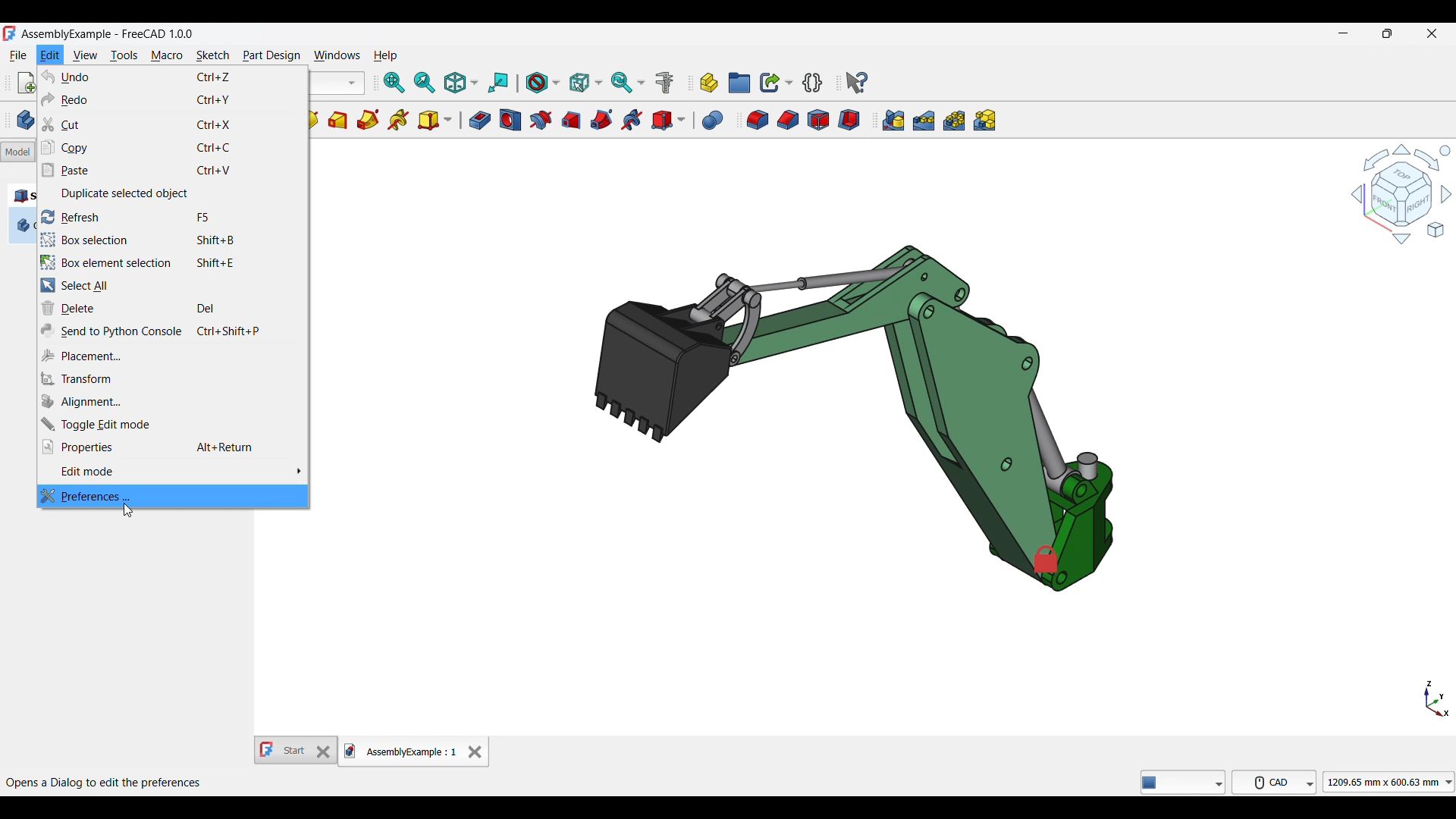 The width and height of the screenshot is (1456, 819). I want to click on Duplicate selected object, so click(174, 193).